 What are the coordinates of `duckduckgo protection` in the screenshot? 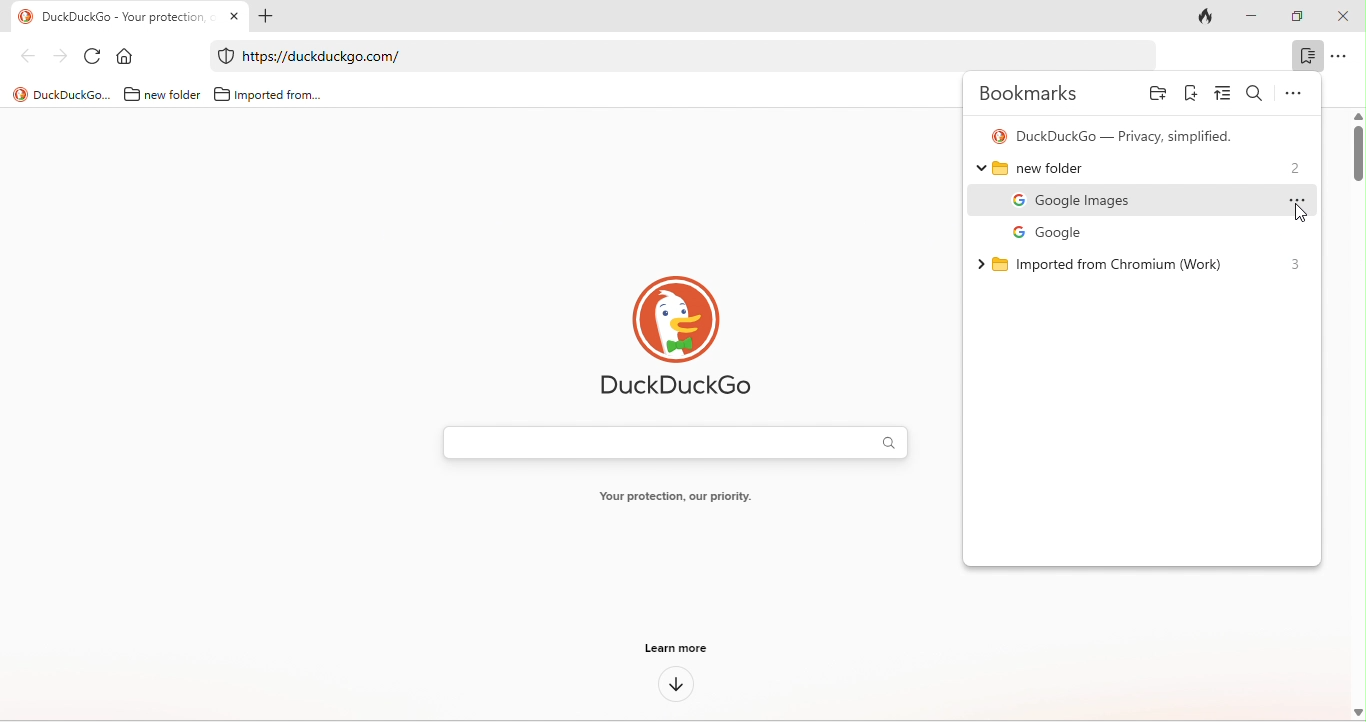 It's located at (223, 56).